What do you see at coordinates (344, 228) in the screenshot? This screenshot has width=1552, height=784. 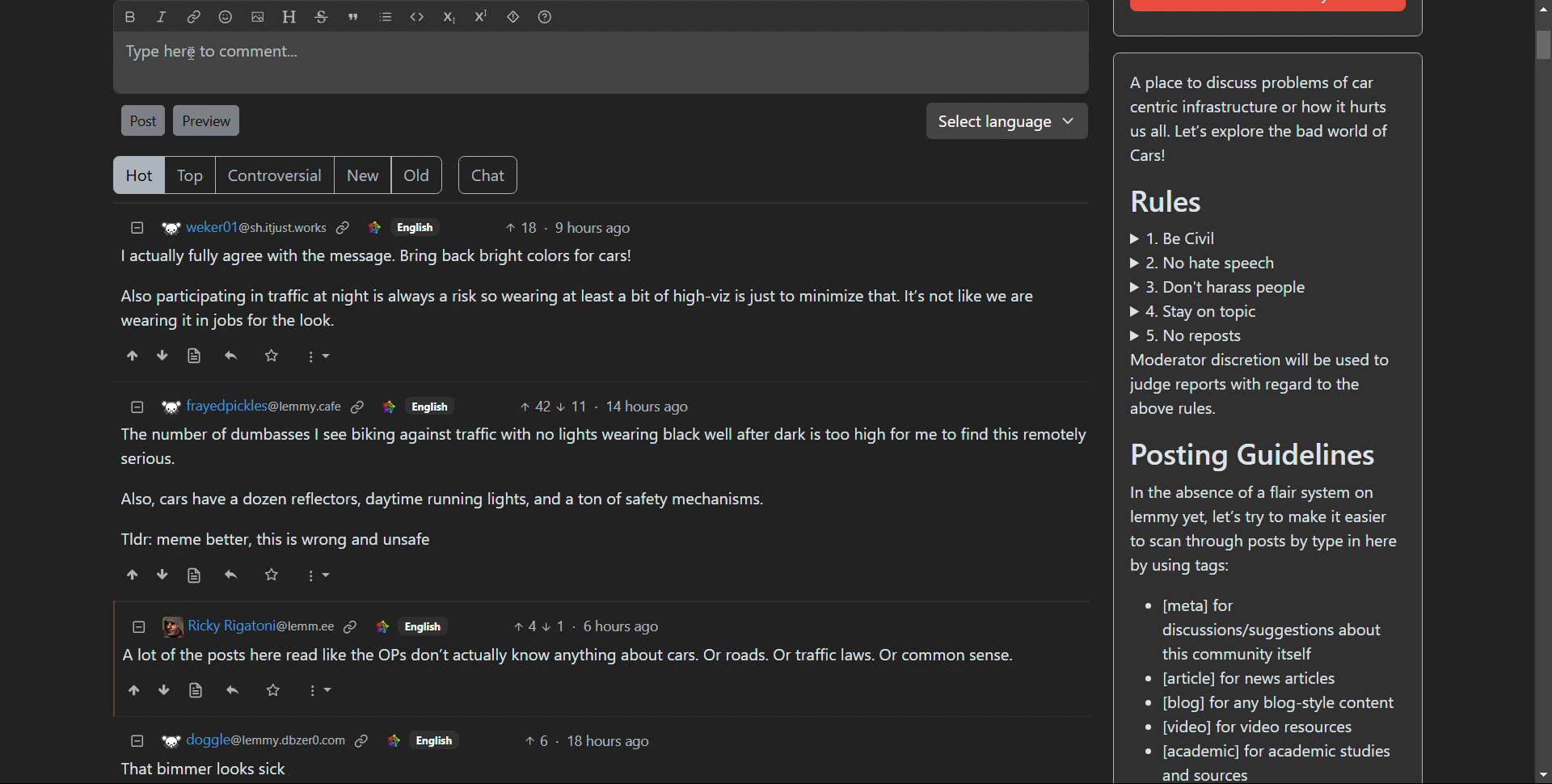 I see `link` at bounding box center [344, 228].